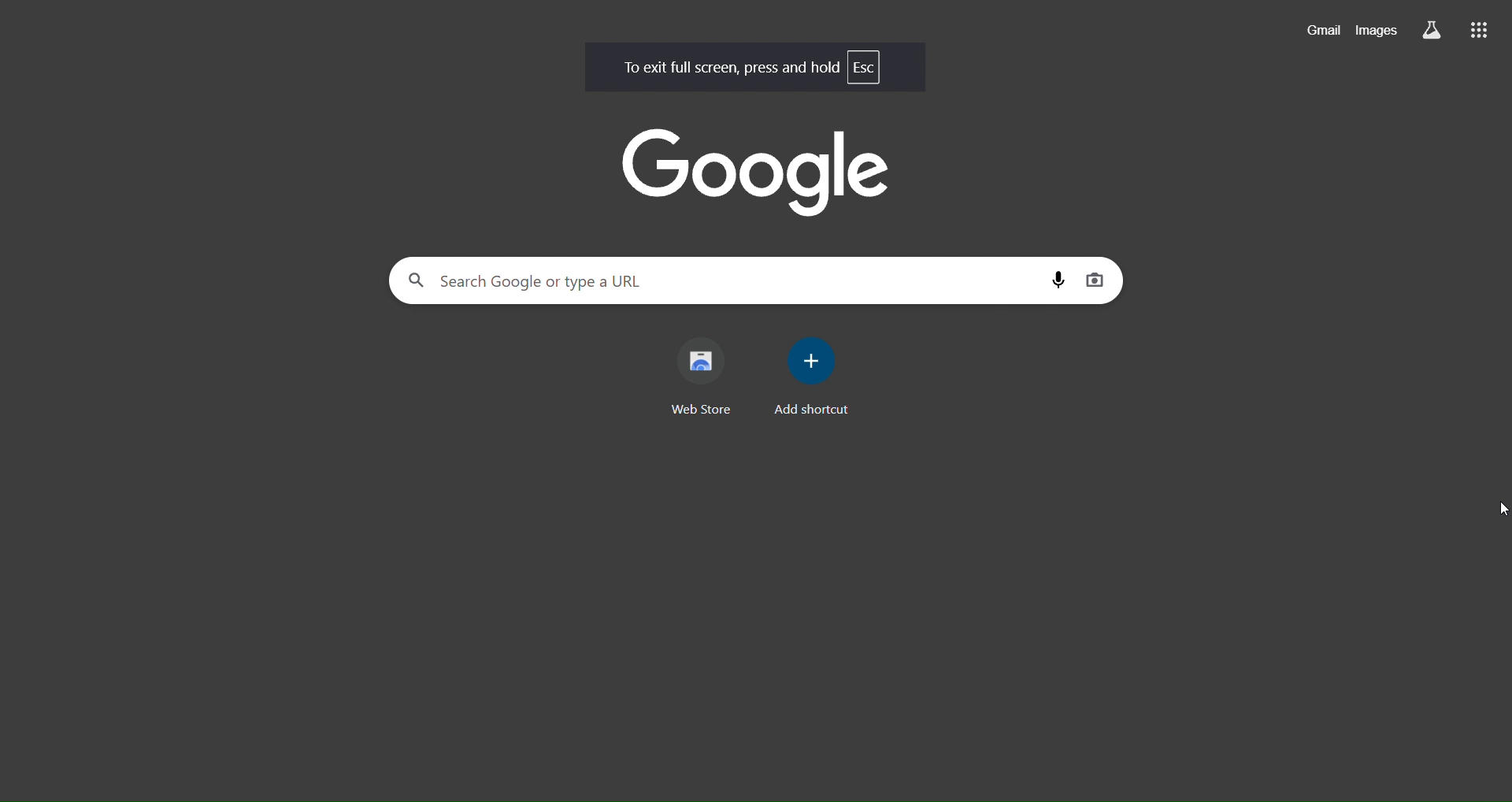  Describe the element at coordinates (707, 378) in the screenshot. I see `webstore` at that location.